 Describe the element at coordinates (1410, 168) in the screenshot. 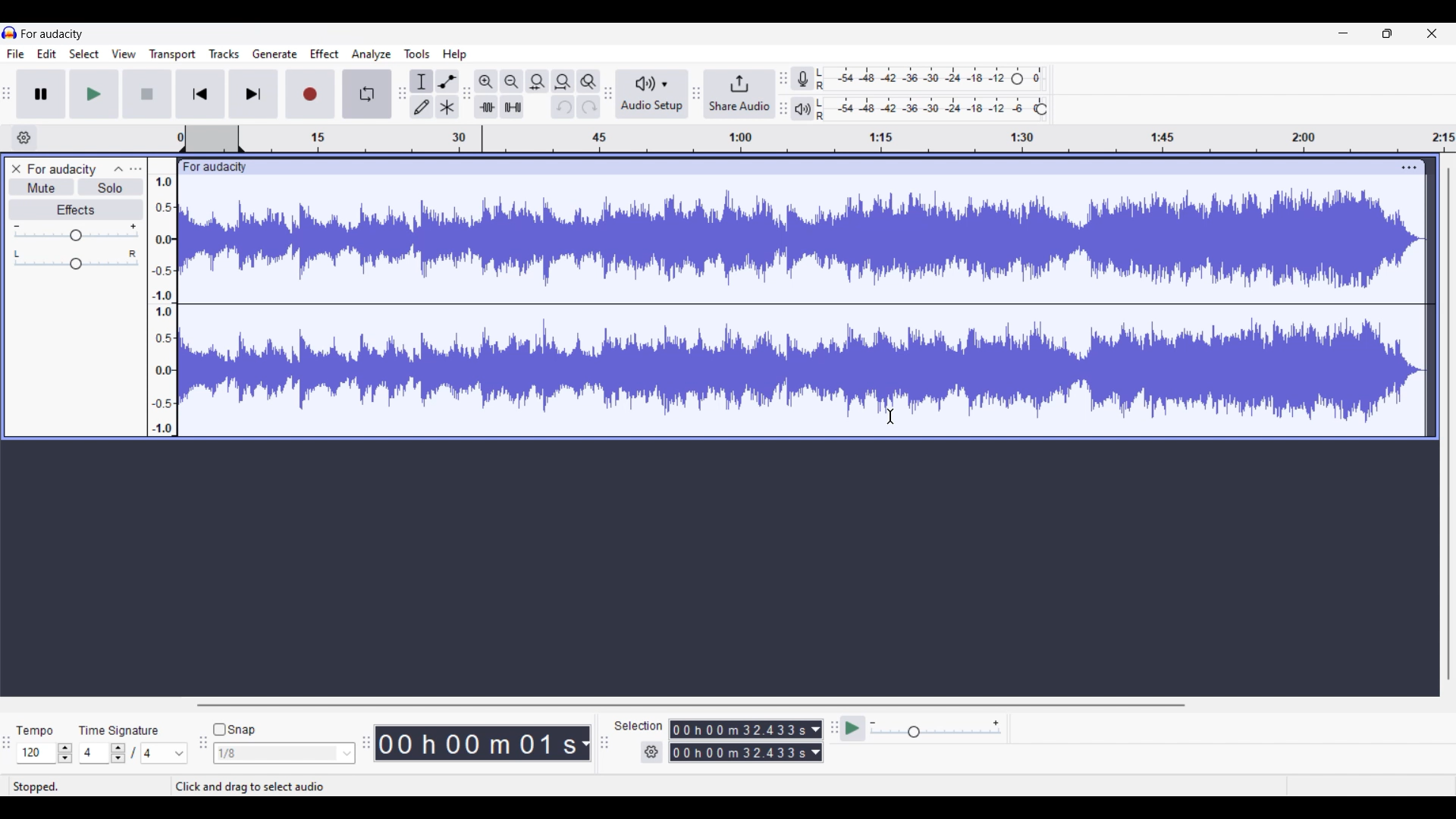

I see `Track settings ` at that location.